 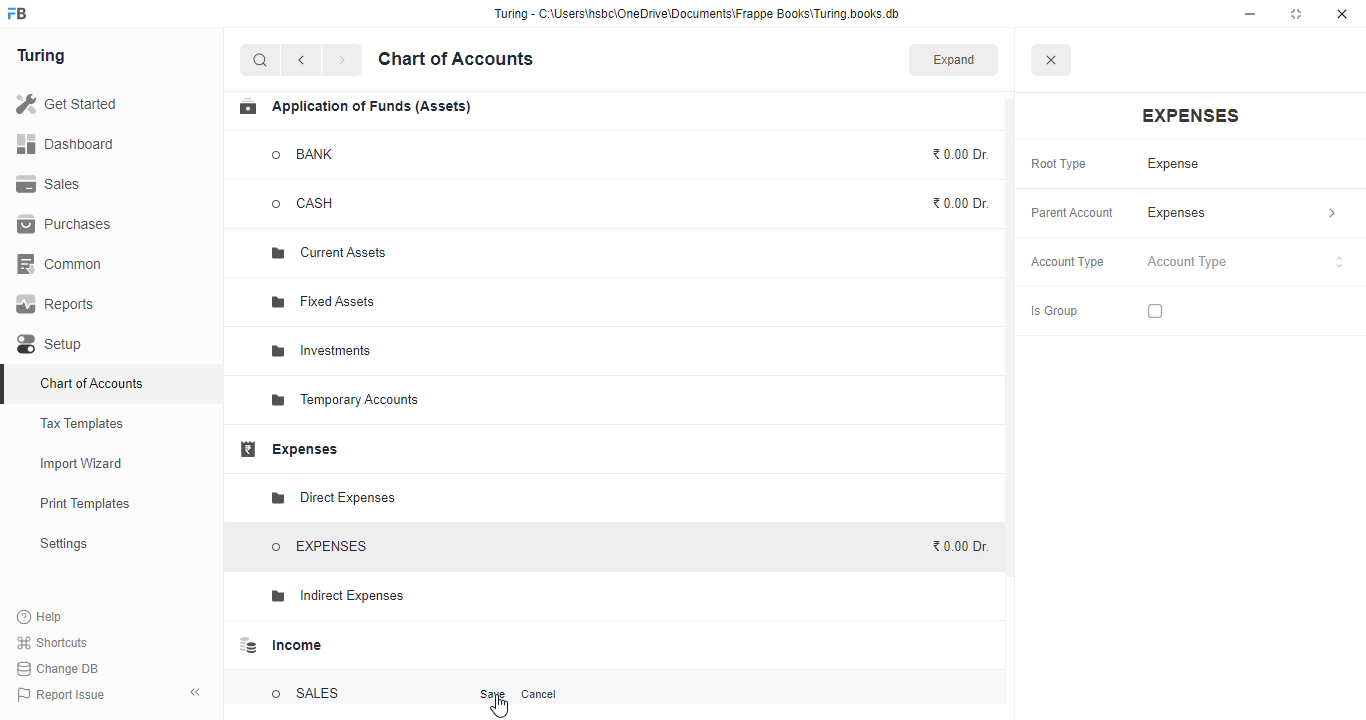 I want to click on ₹0.00 Dr., so click(x=962, y=203).